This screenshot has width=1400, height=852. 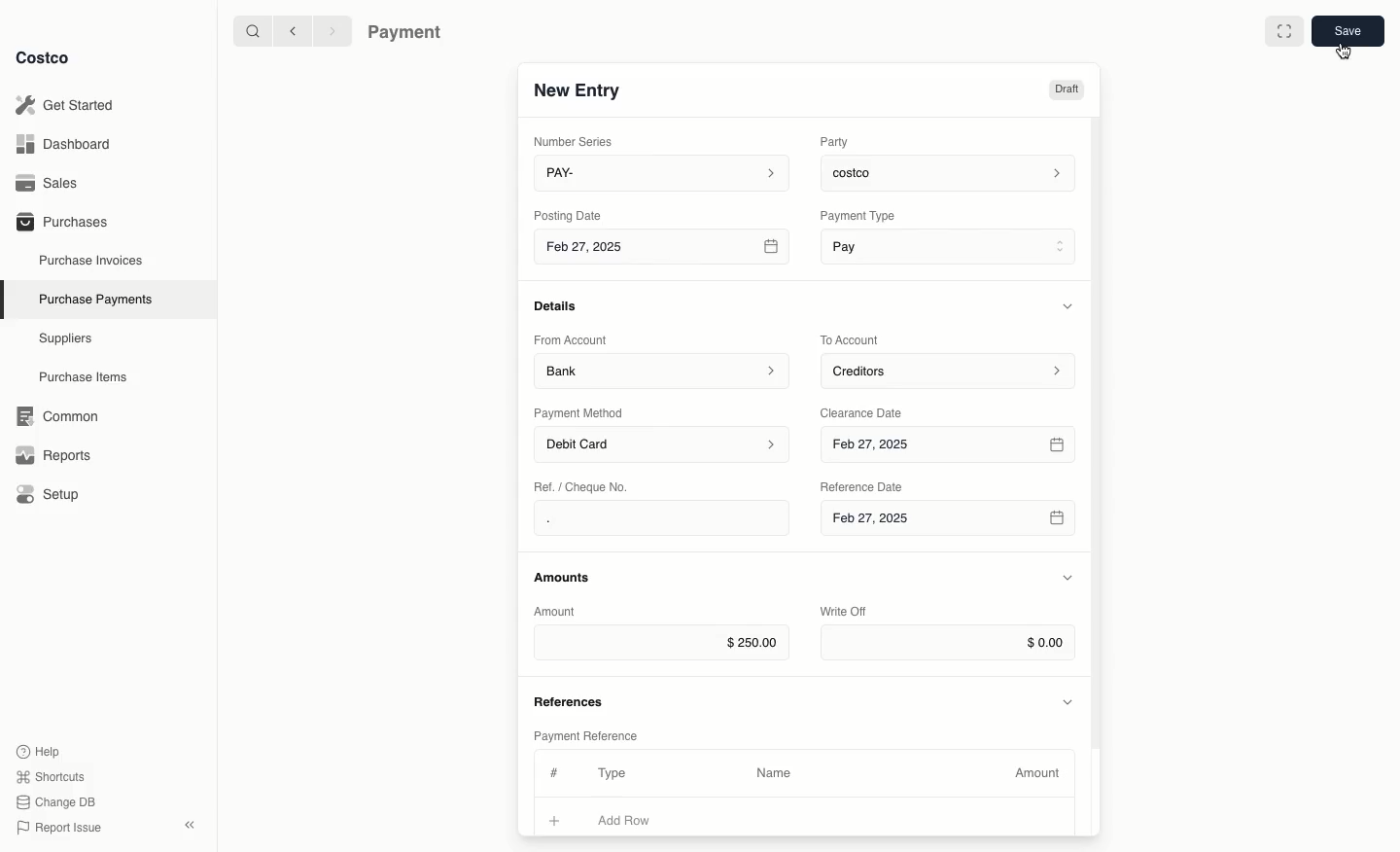 What do you see at coordinates (571, 339) in the screenshot?
I see `From Account` at bounding box center [571, 339].